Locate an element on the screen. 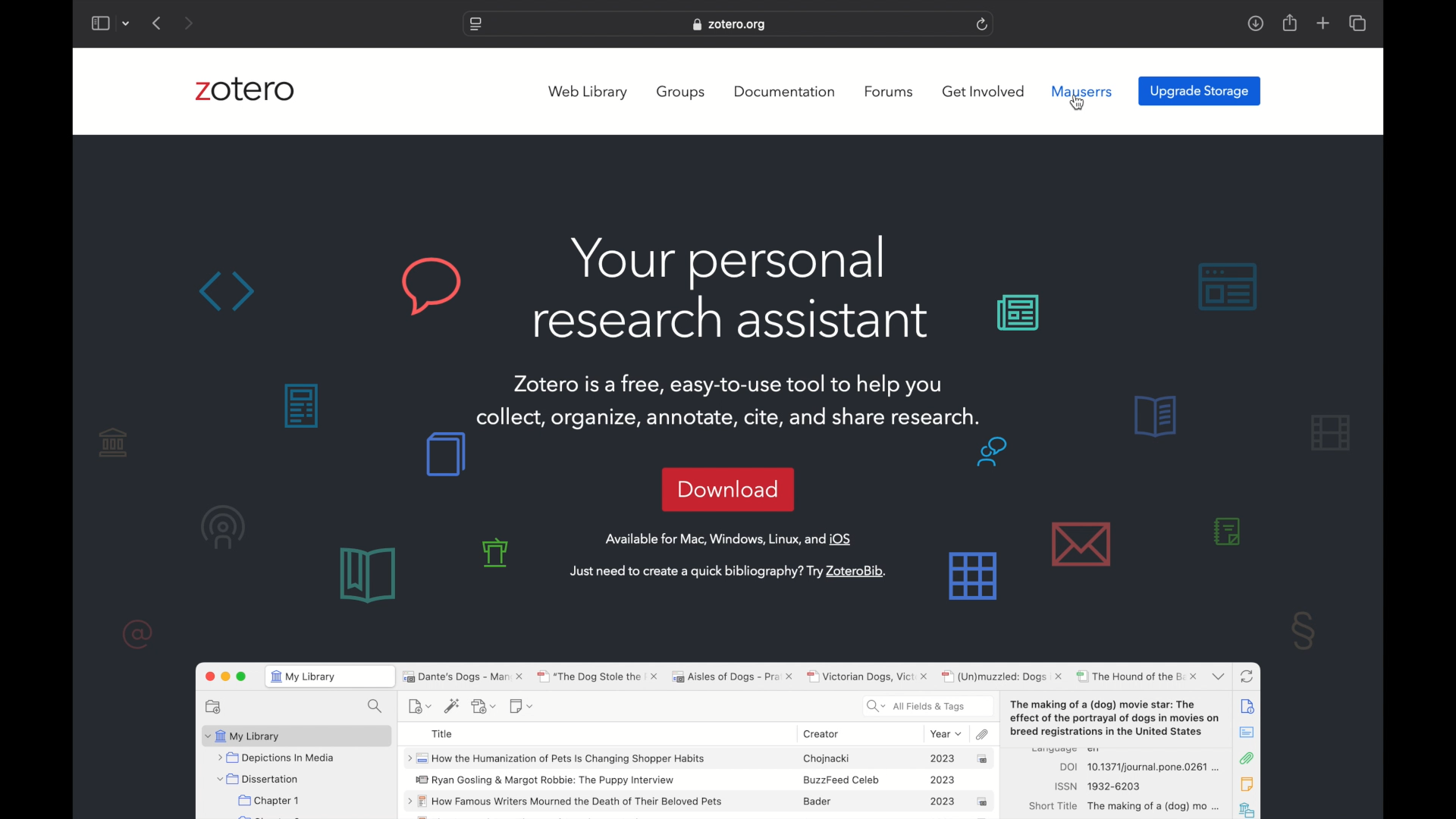 This screenshot has height=819, width=1456. zotero is located at coordinates (245, 89).